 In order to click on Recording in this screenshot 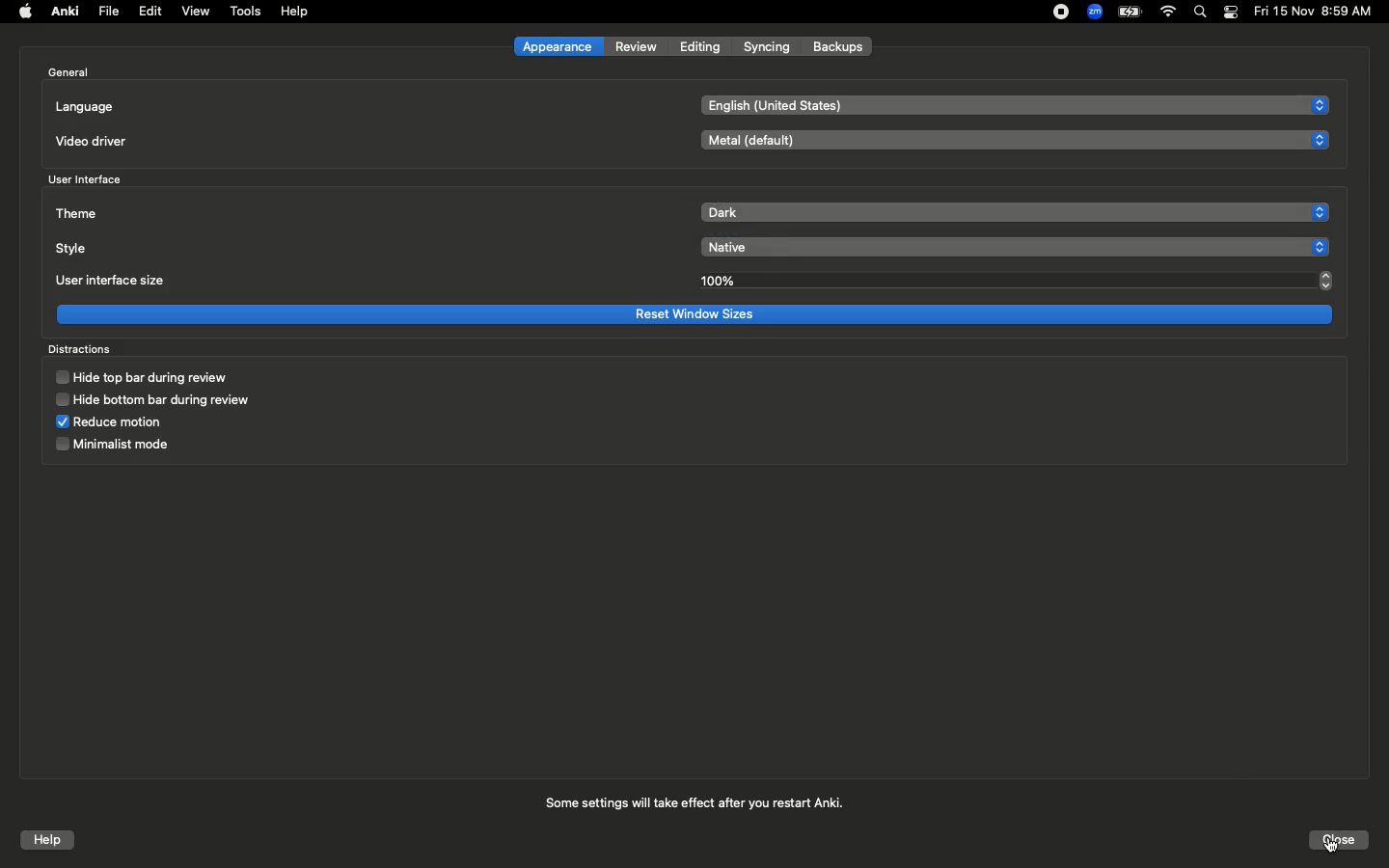, I will do `click(1063, 12)`.